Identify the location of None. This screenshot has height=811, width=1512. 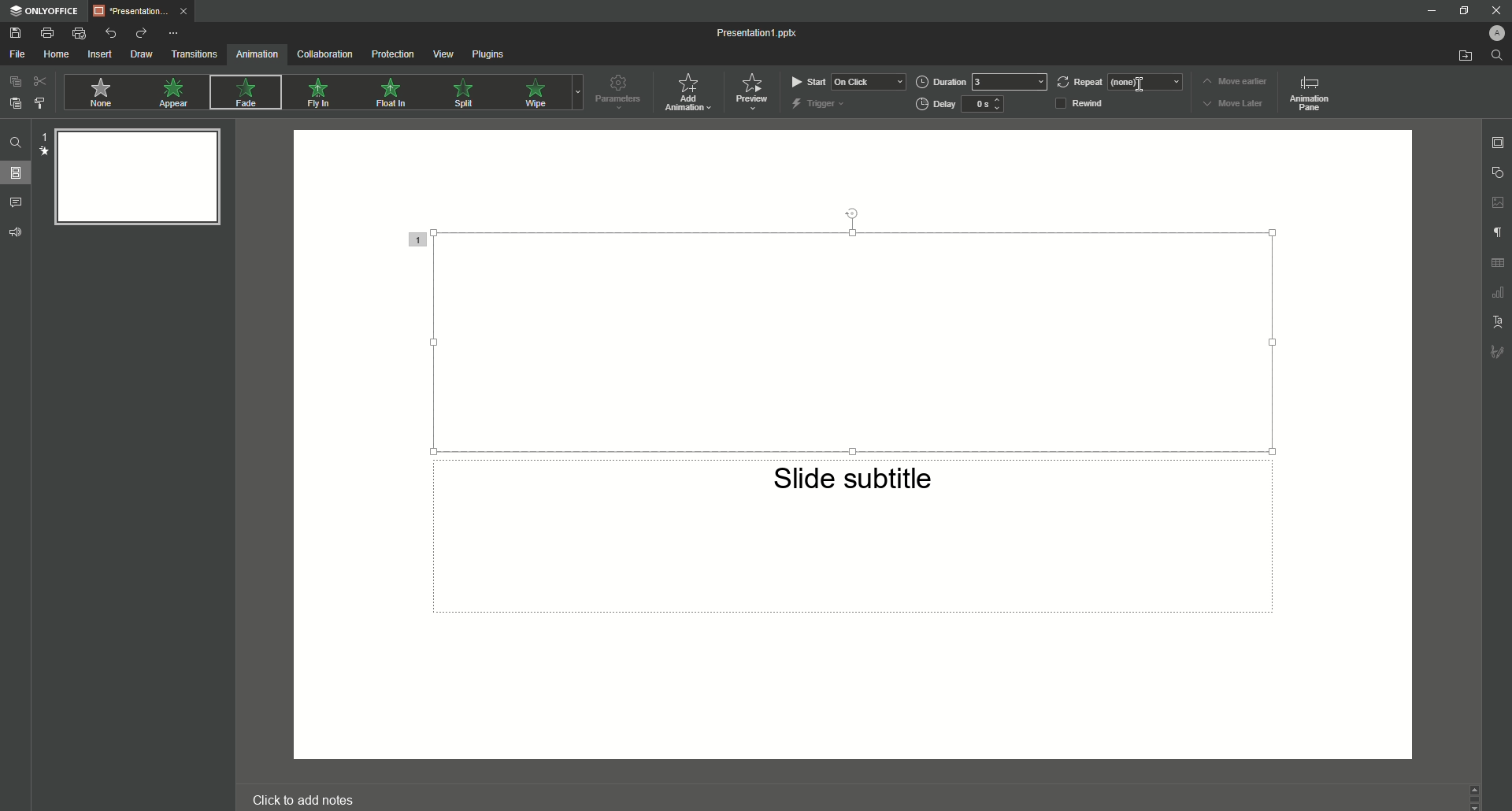
(100, 94).